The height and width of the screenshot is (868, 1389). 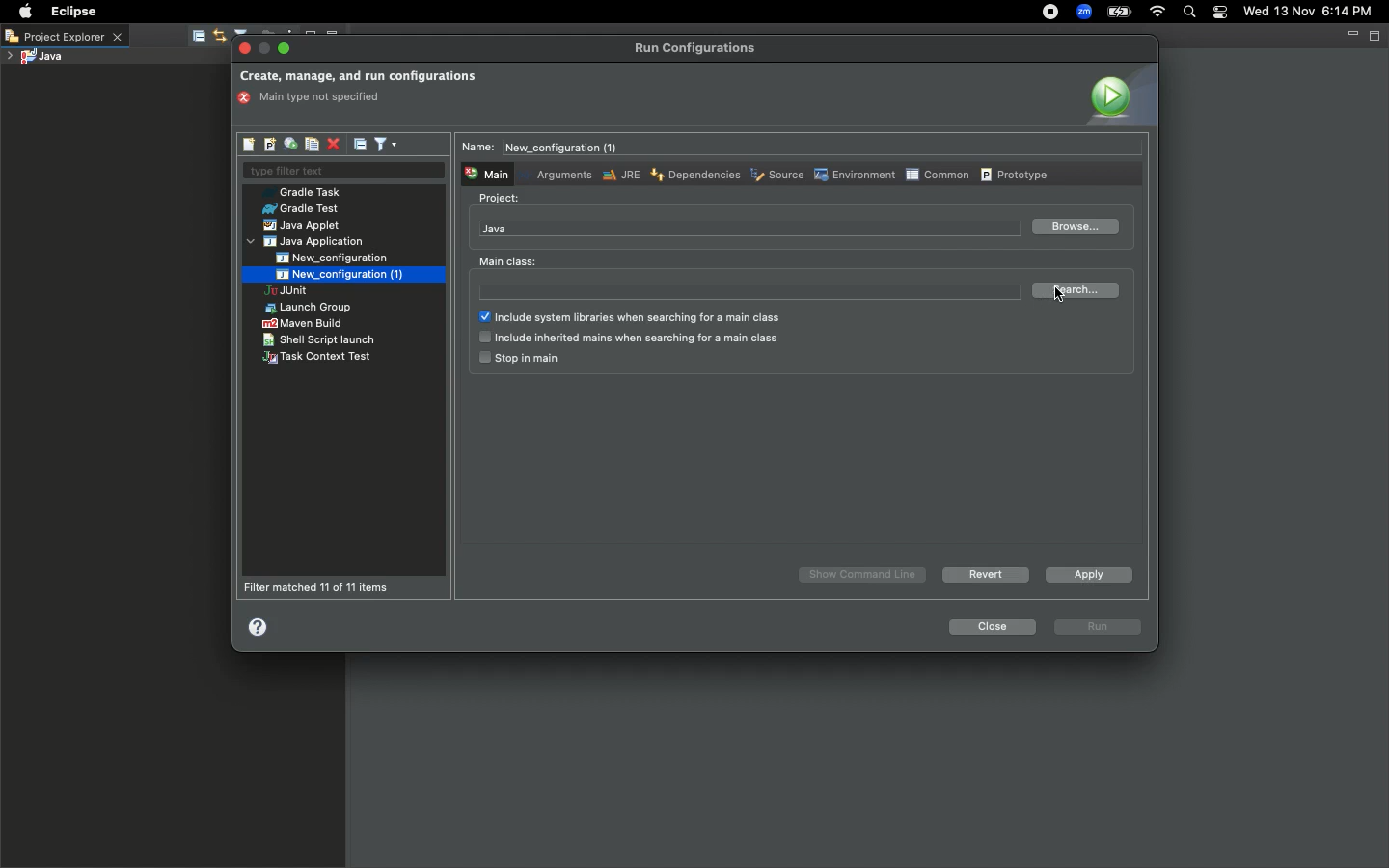 What do you see at coordinates (518, 359) in the screenshot?
I see `stop in main` at bounding box center [518, 359].